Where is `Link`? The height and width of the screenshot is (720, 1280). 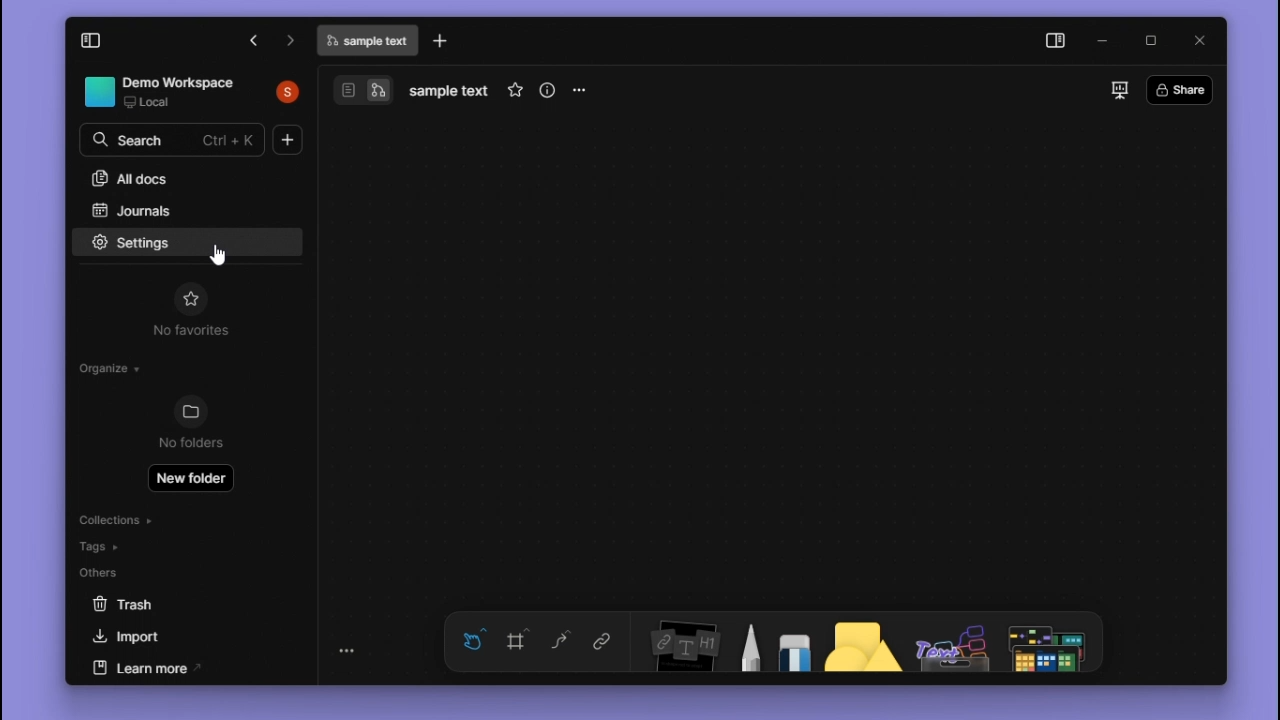
Link is located at coordinates (602, 640).